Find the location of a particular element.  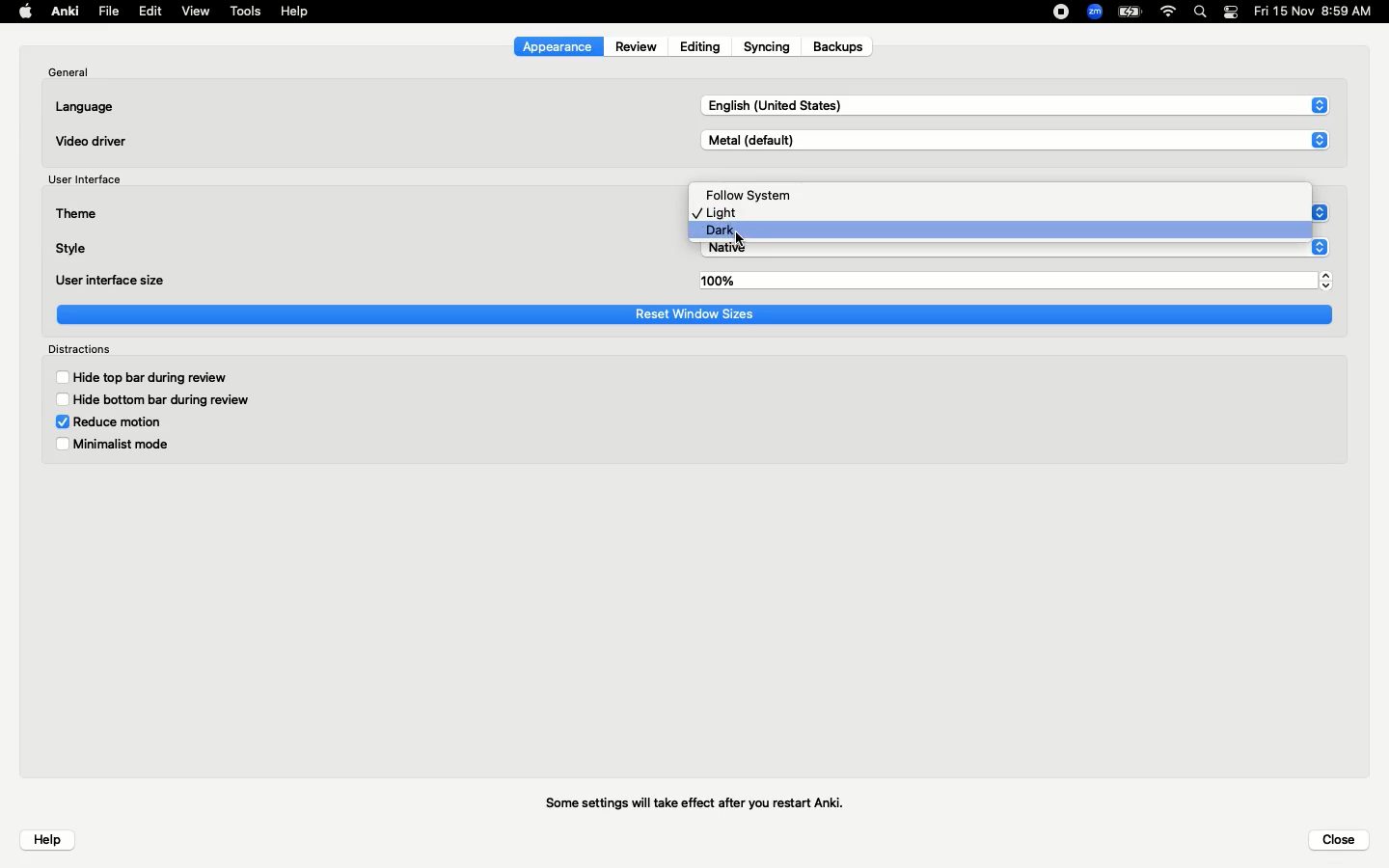

Edit is located at coordinates (150, 11).